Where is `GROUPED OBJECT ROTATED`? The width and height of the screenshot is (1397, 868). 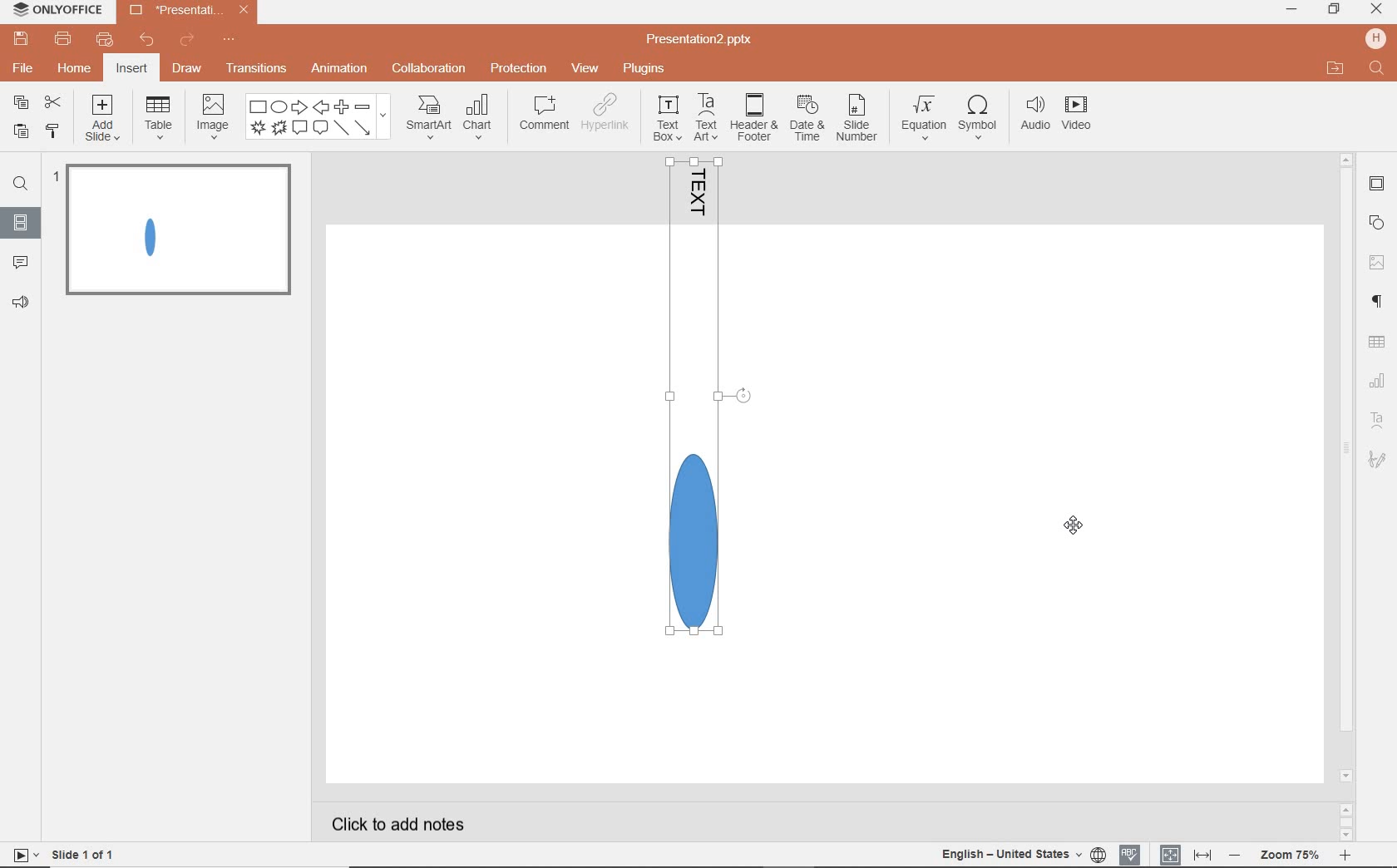 GROUPED OBJECT ROTATED is located at coordinates (150, 222).